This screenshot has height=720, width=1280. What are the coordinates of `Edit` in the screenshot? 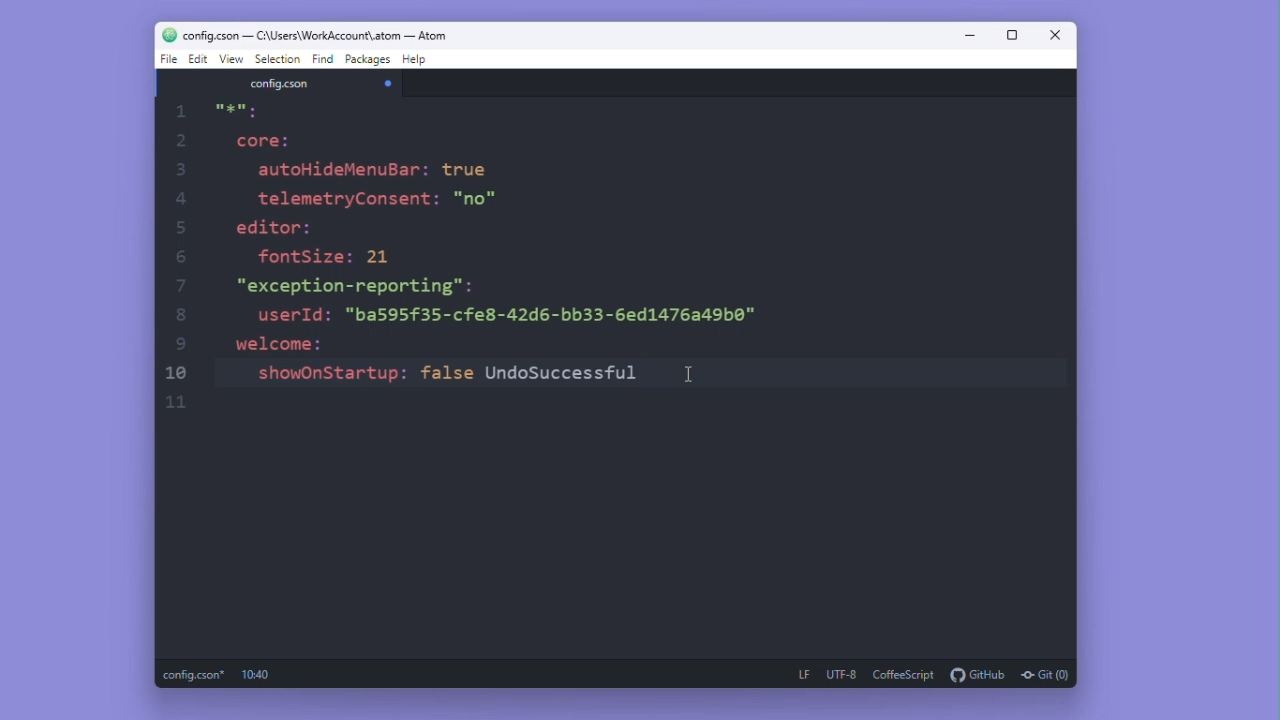 It's located at (198, 59).